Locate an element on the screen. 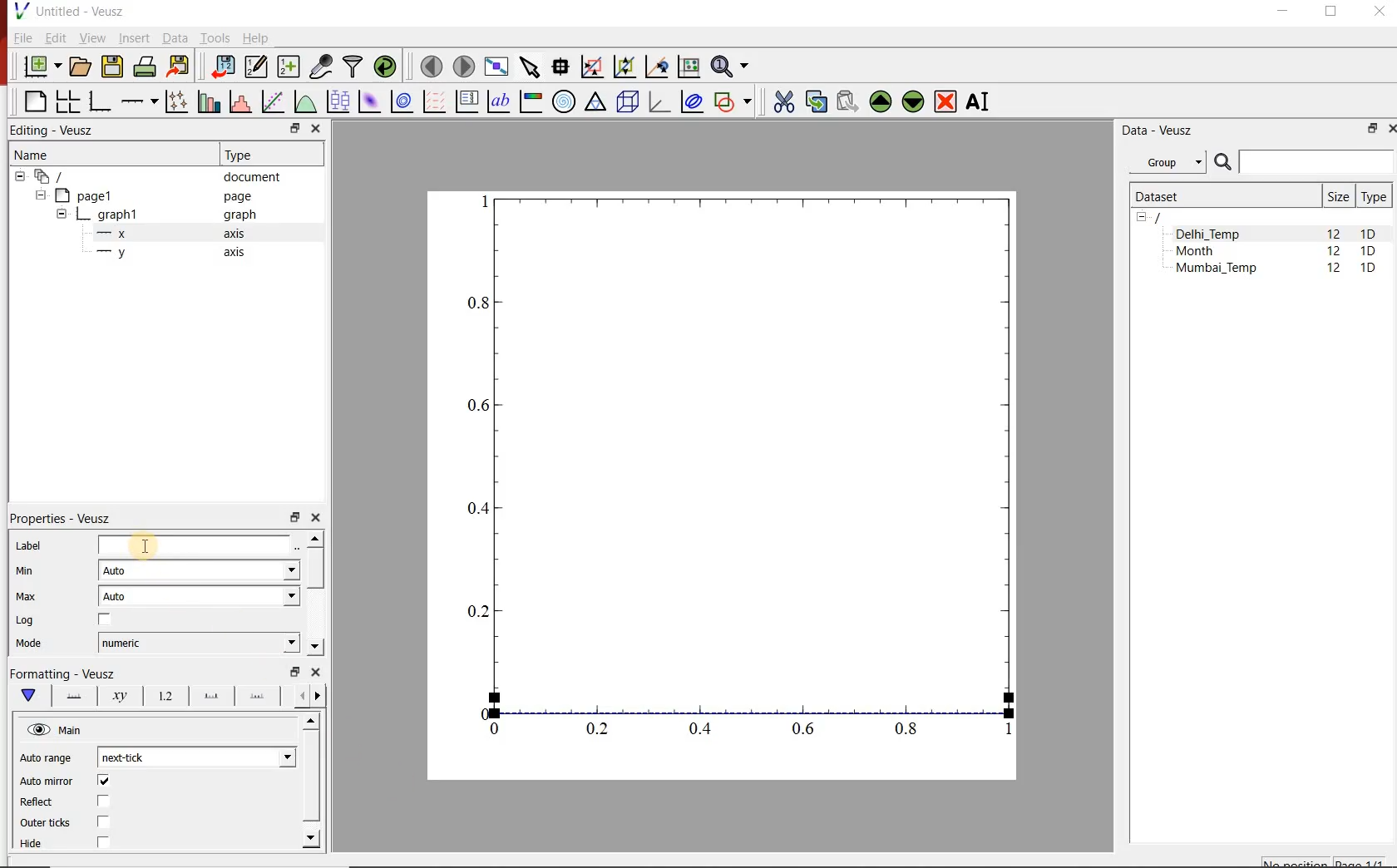 The height and width of the screenshot is (868, 1397). Auto range is located at coordinates (49, 757).